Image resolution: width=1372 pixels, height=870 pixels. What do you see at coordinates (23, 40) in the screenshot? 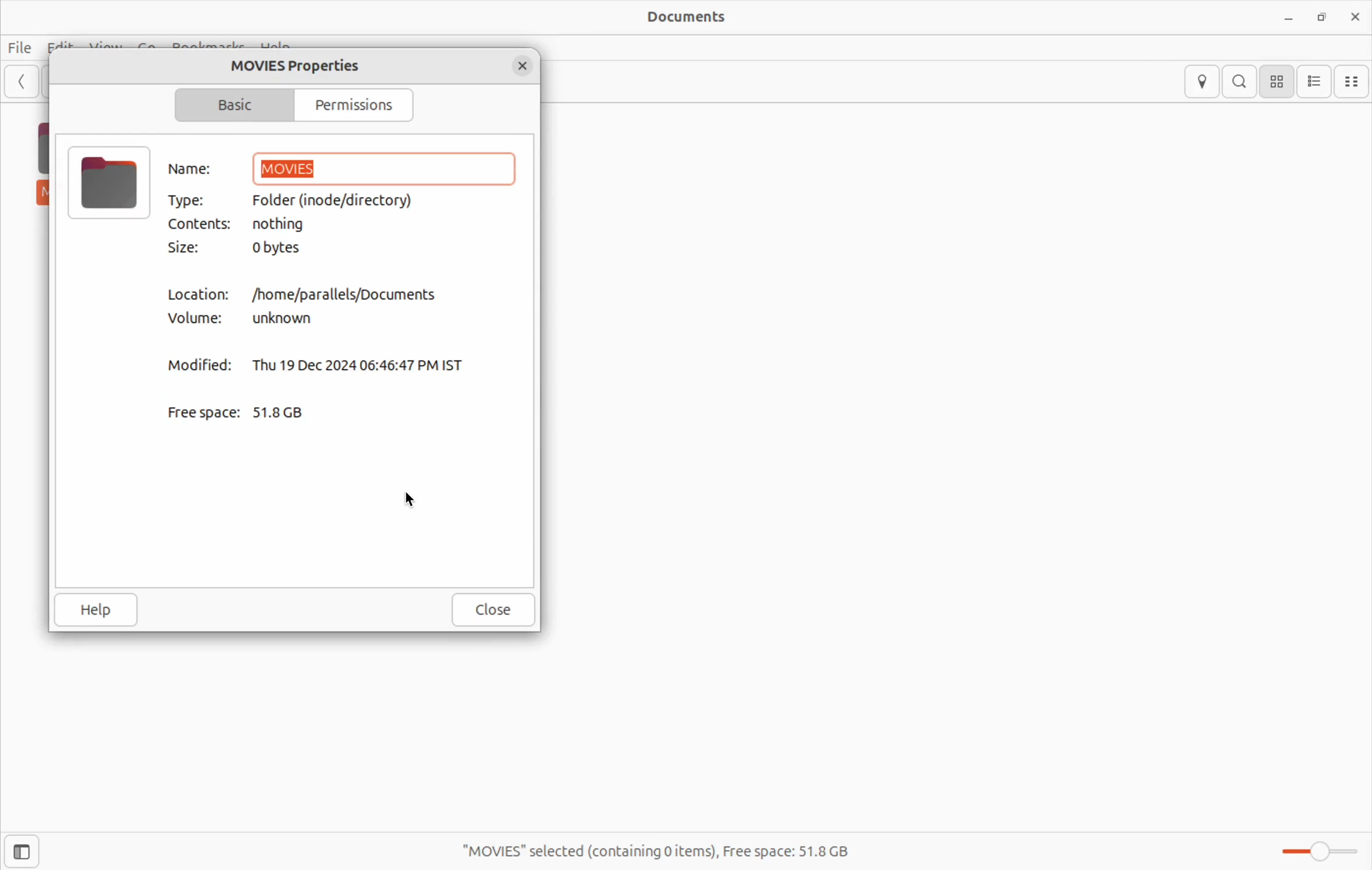
I see `File` at bounding box center [23, 40].